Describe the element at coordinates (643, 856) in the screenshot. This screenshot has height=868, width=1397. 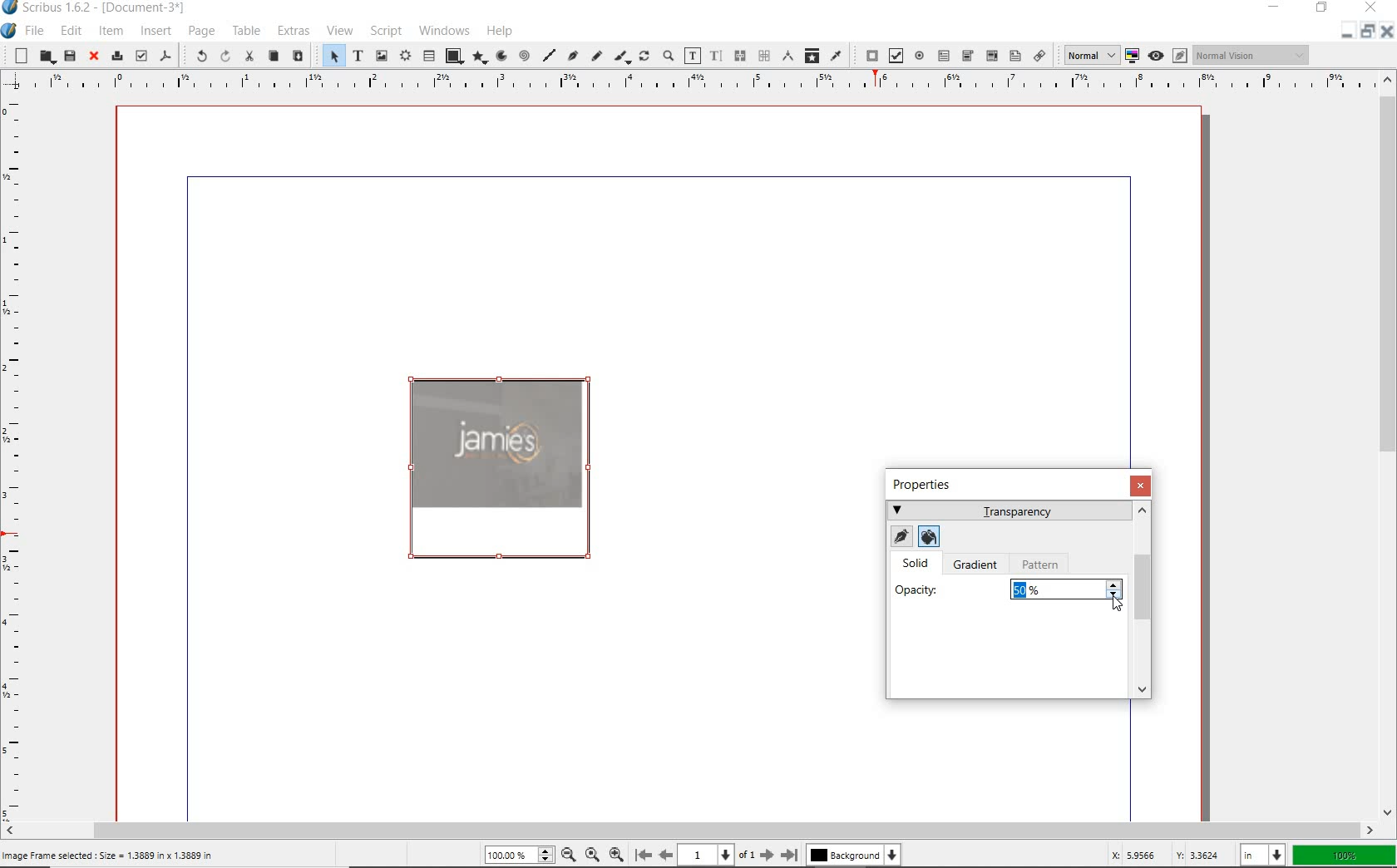
I see `first` at that location.